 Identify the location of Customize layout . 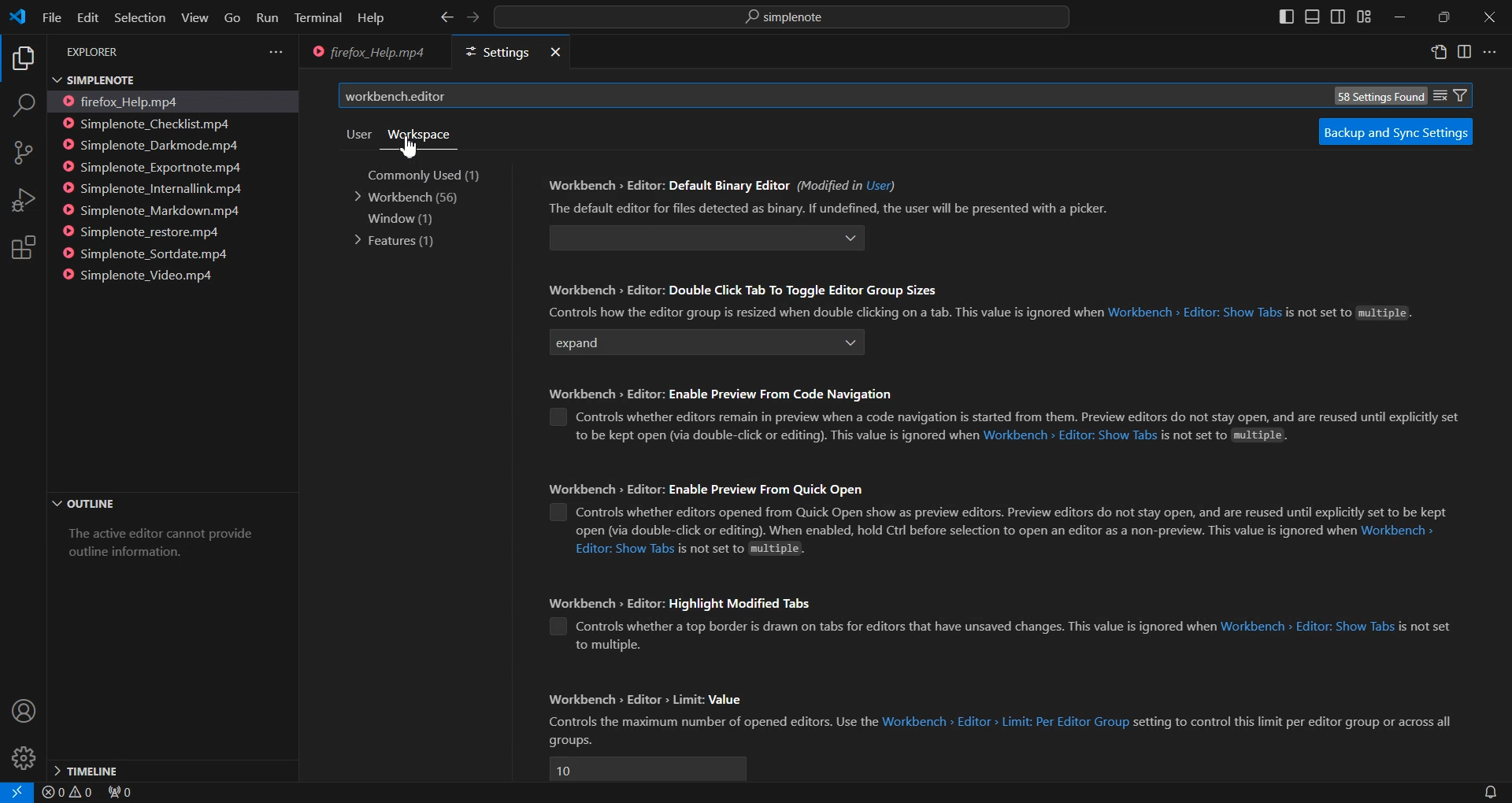
(1363, 17).